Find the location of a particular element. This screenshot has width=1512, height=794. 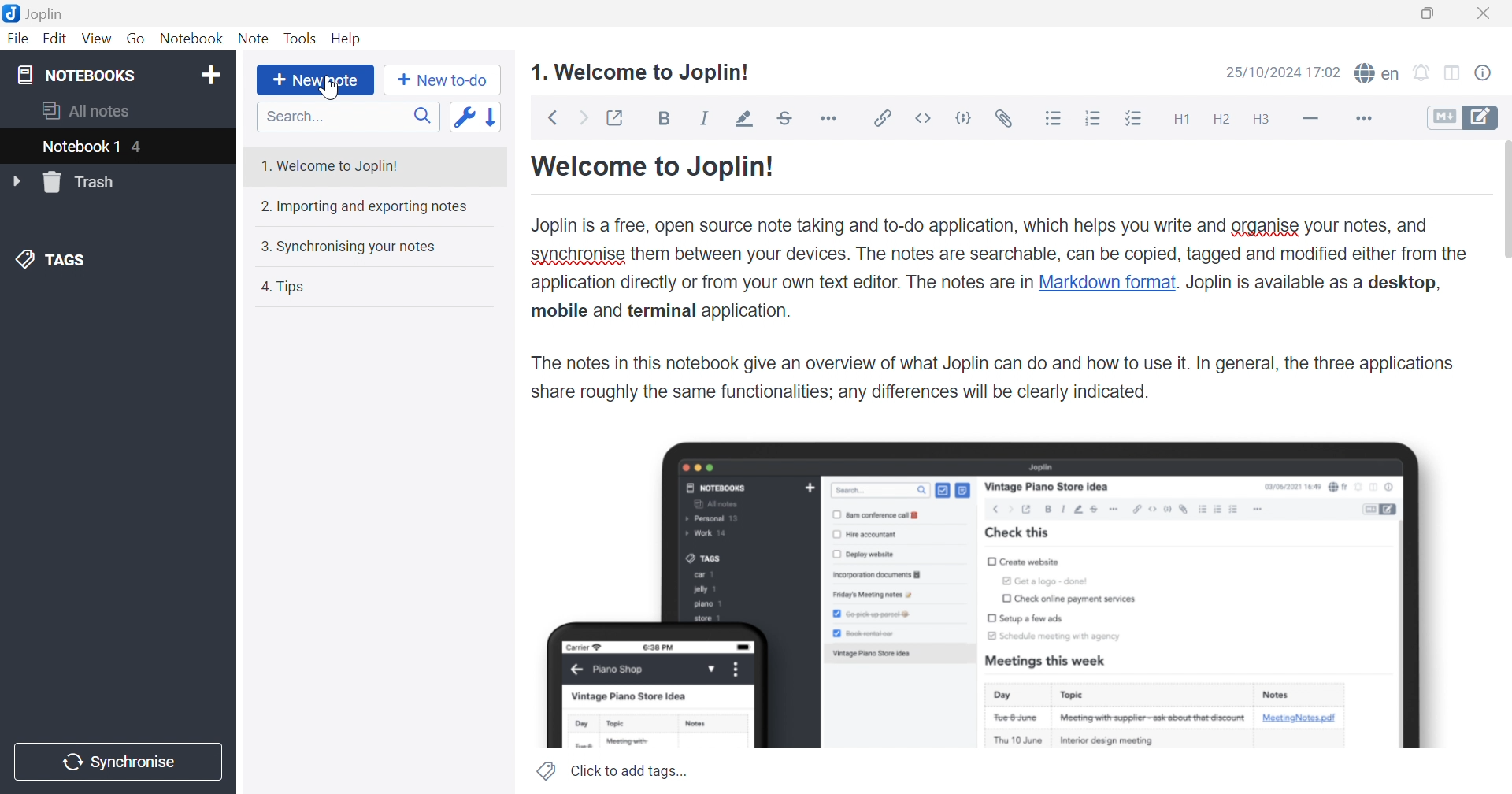

Toggle external editing is located at coordinates (618, 117).